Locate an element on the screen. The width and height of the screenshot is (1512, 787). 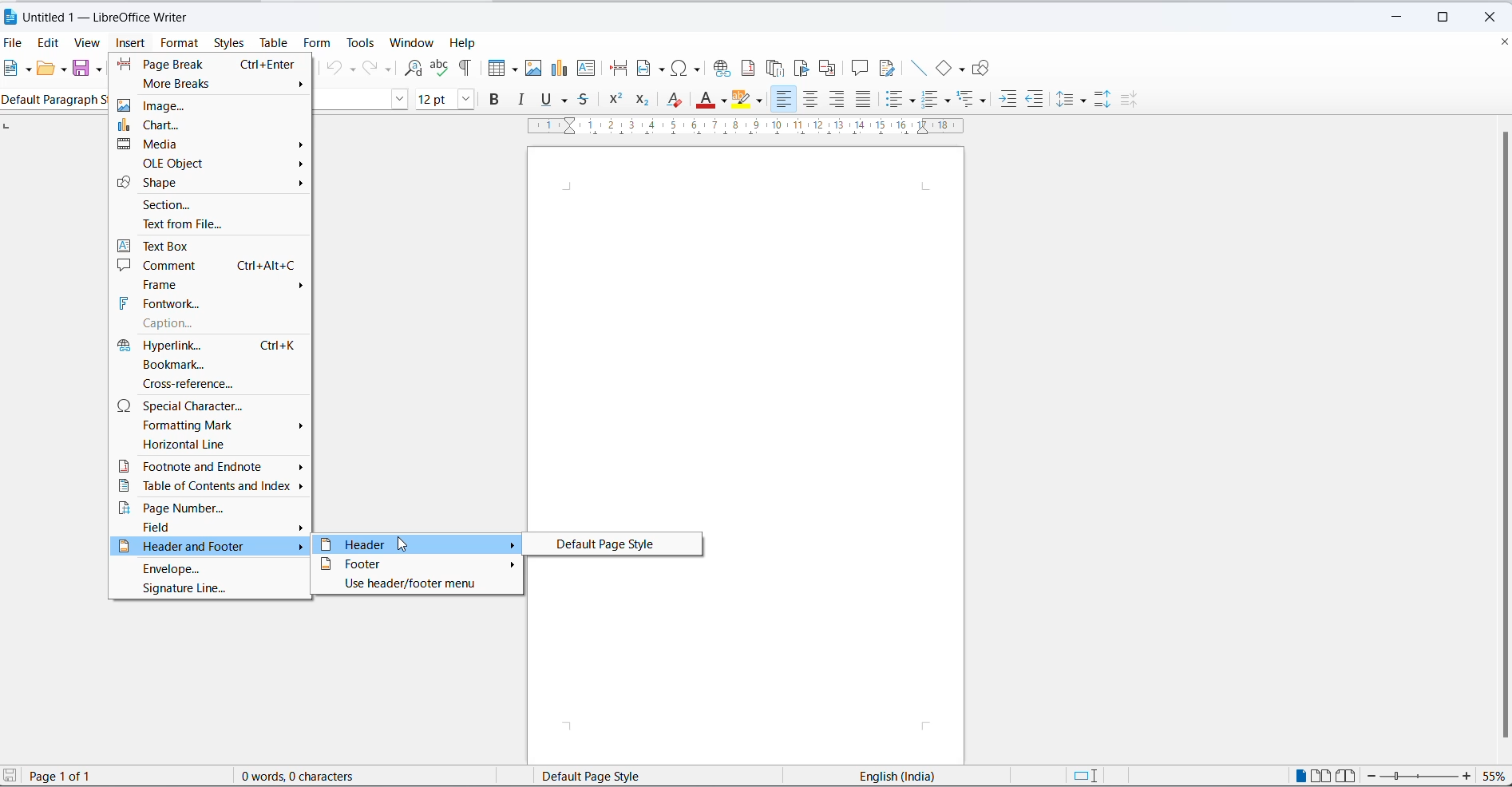
window is located at coordinates (415, 43).